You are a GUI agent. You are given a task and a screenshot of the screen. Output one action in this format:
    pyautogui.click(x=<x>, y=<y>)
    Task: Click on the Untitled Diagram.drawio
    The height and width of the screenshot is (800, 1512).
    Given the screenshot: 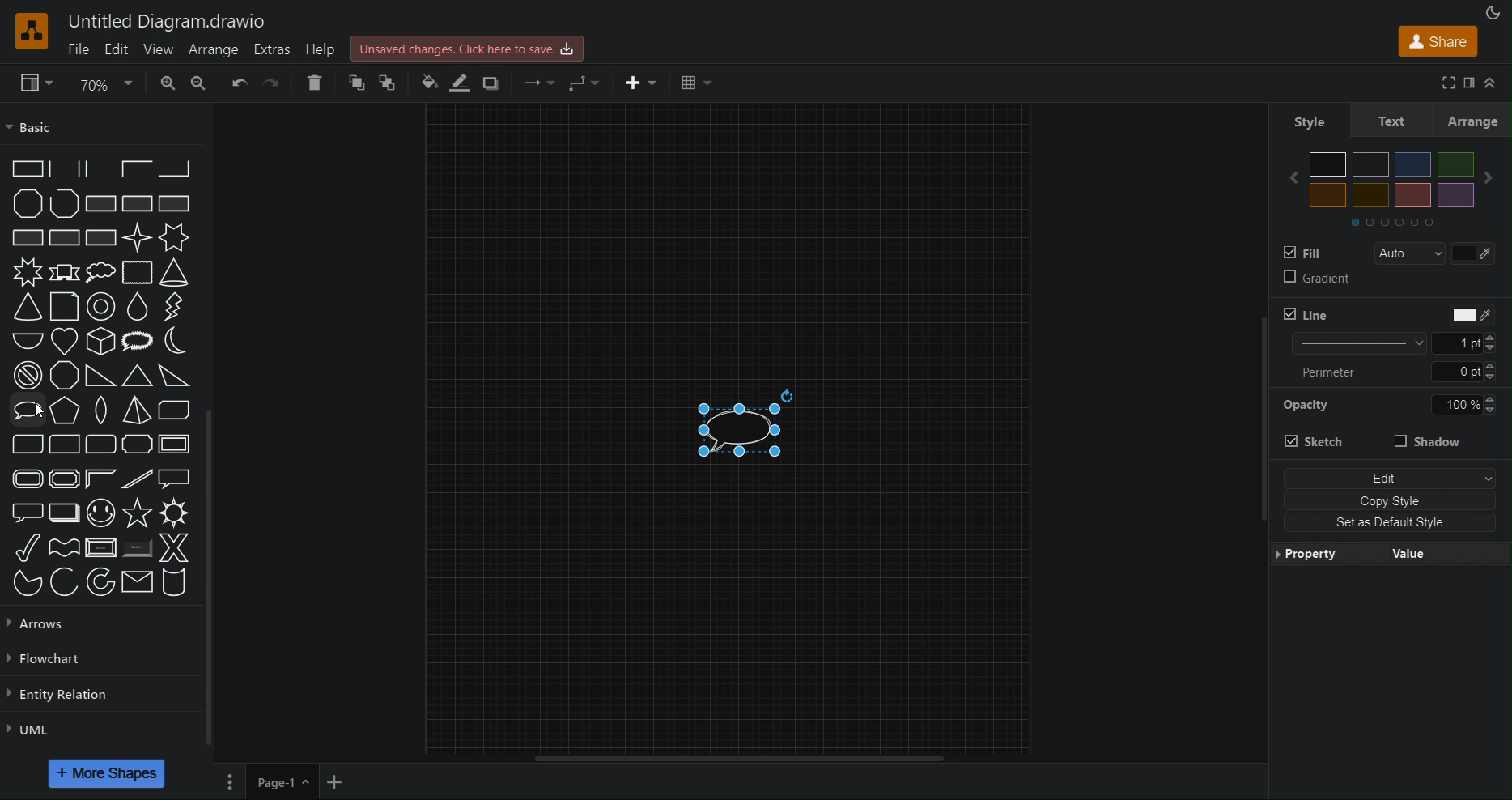 What is the action you would take?
    pyautogui.click(x=165, y=18)
    